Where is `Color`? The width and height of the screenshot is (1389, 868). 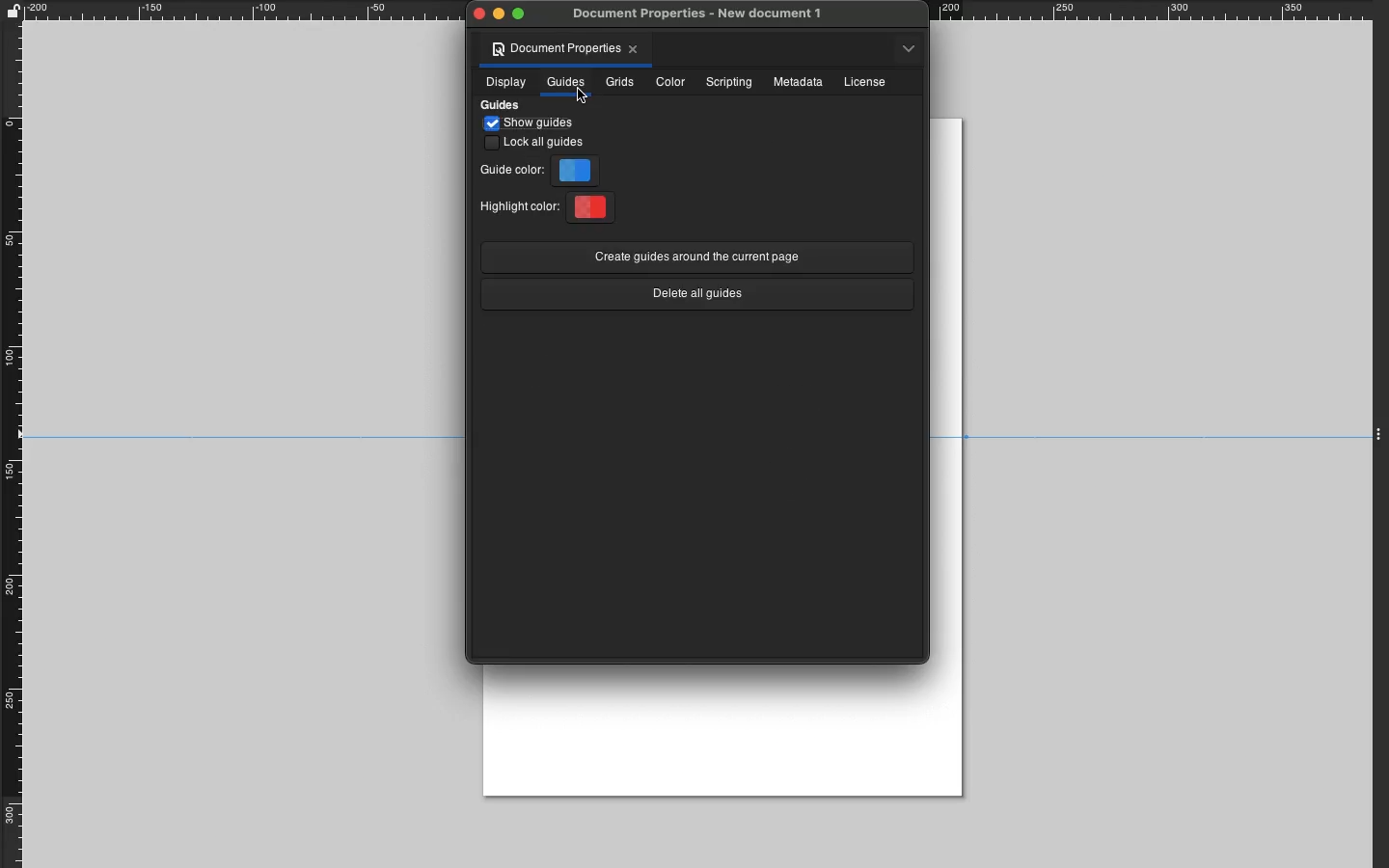
Color is located at coordinates (578, 170).